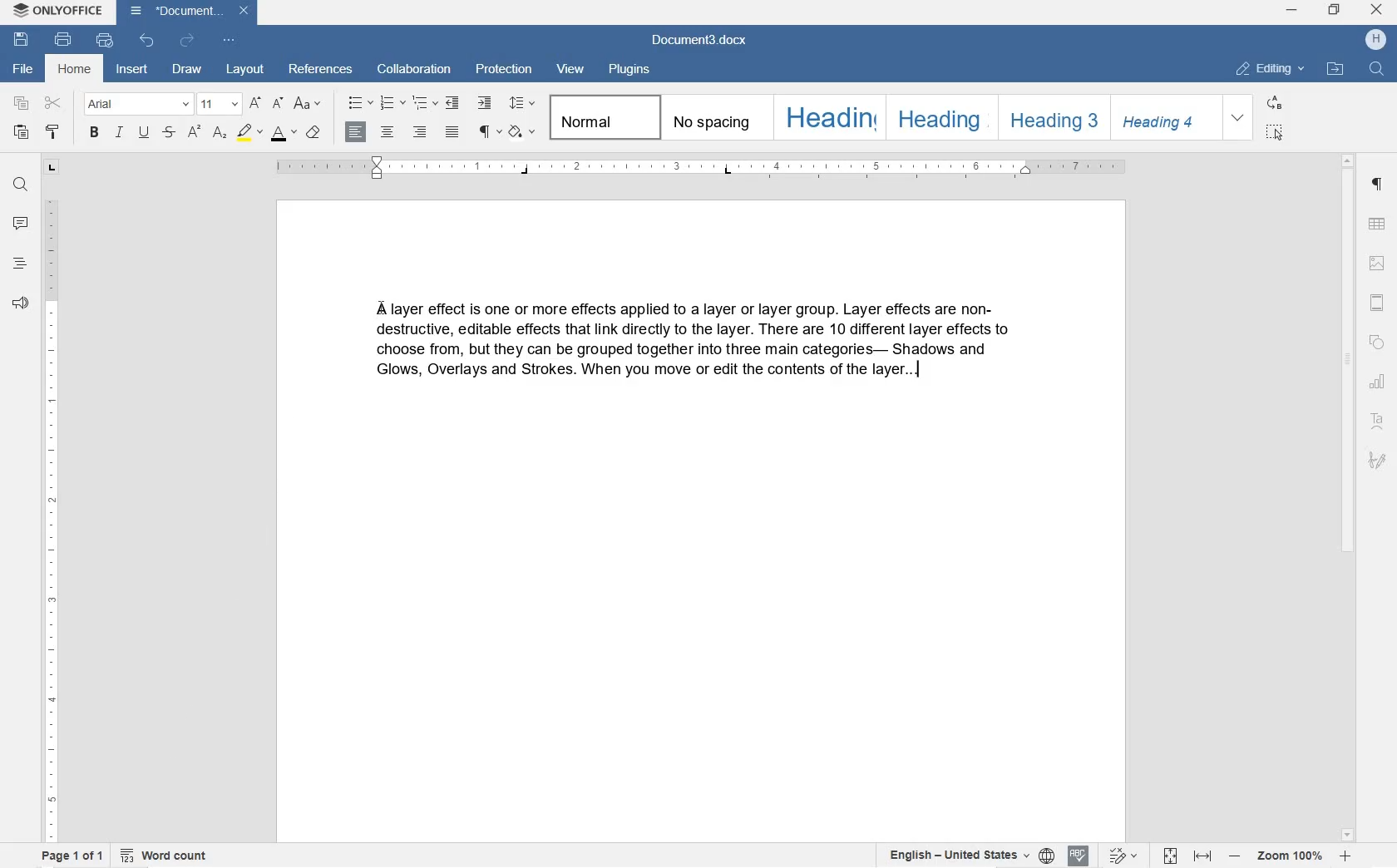  What do you see at coordinates (356, 133) in the screenshot?
I see `LEFT ALIGNMENT` at bounding box center [356, 133].